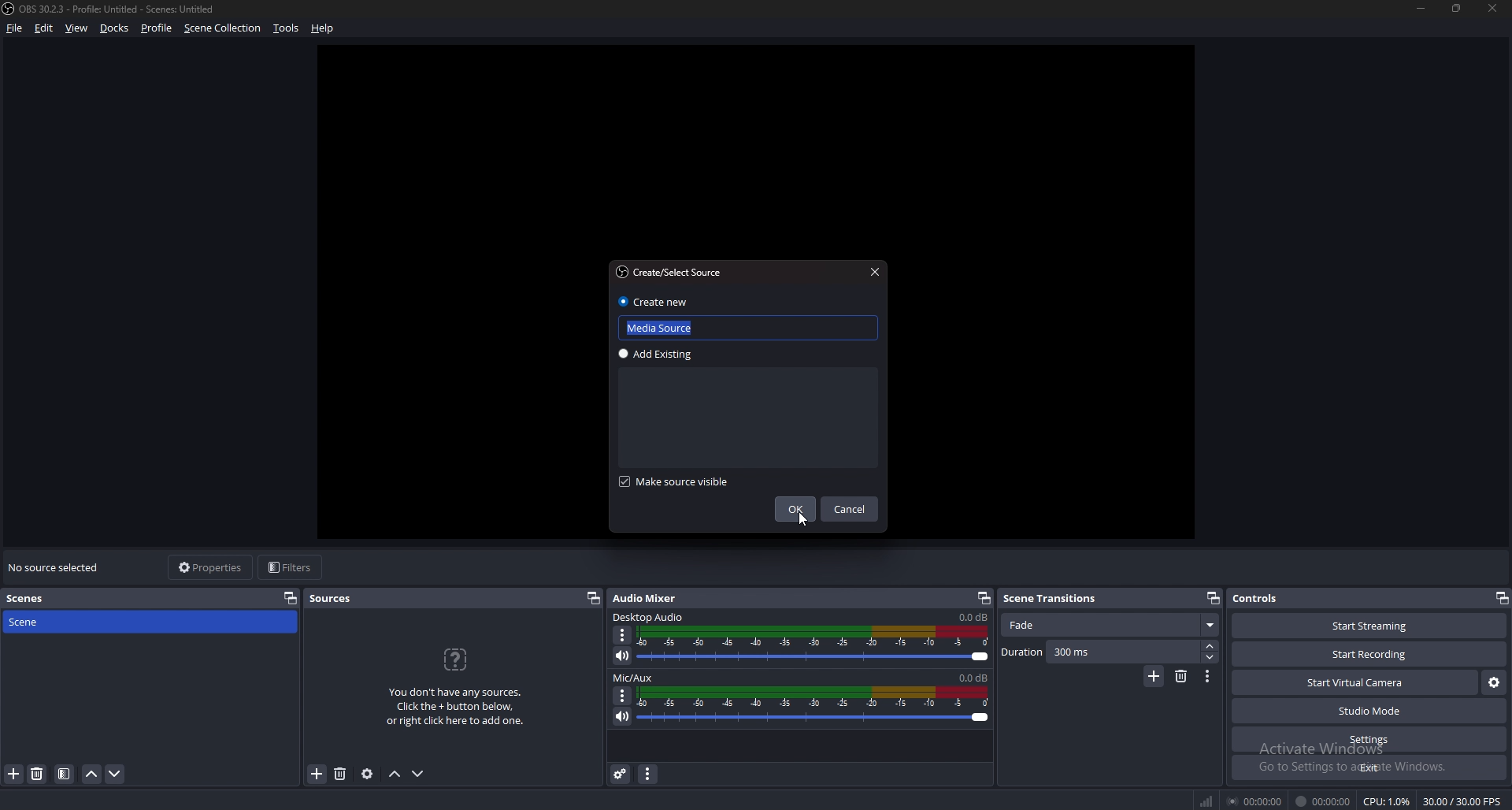 This screenshot has height=810, width=1512. What do you see at coordinates (1501, 600) in the screenshot?
I see `pop out` at bounding box center [1501, 600].